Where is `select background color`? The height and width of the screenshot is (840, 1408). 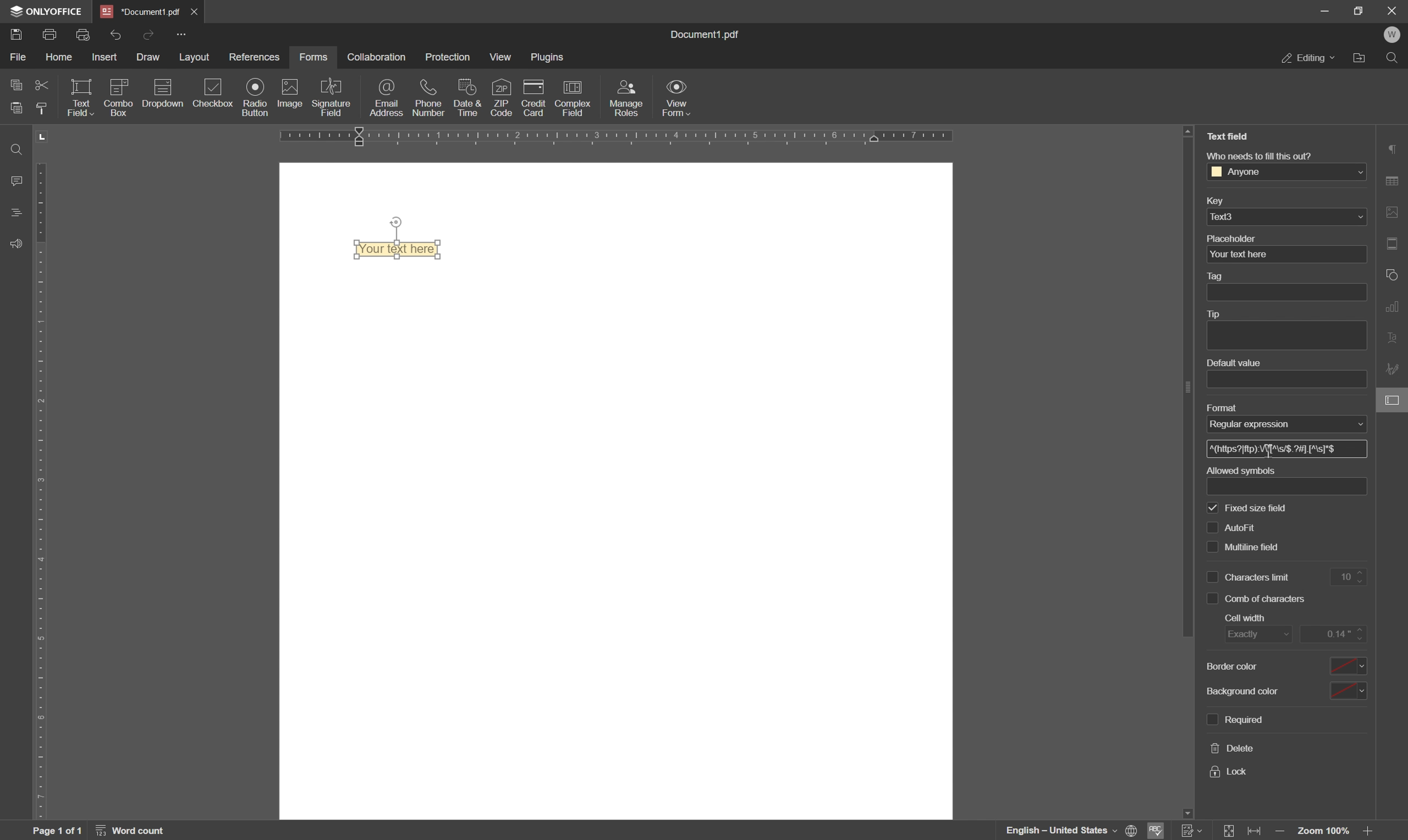
select background color is located at coordinates (1349, 689).